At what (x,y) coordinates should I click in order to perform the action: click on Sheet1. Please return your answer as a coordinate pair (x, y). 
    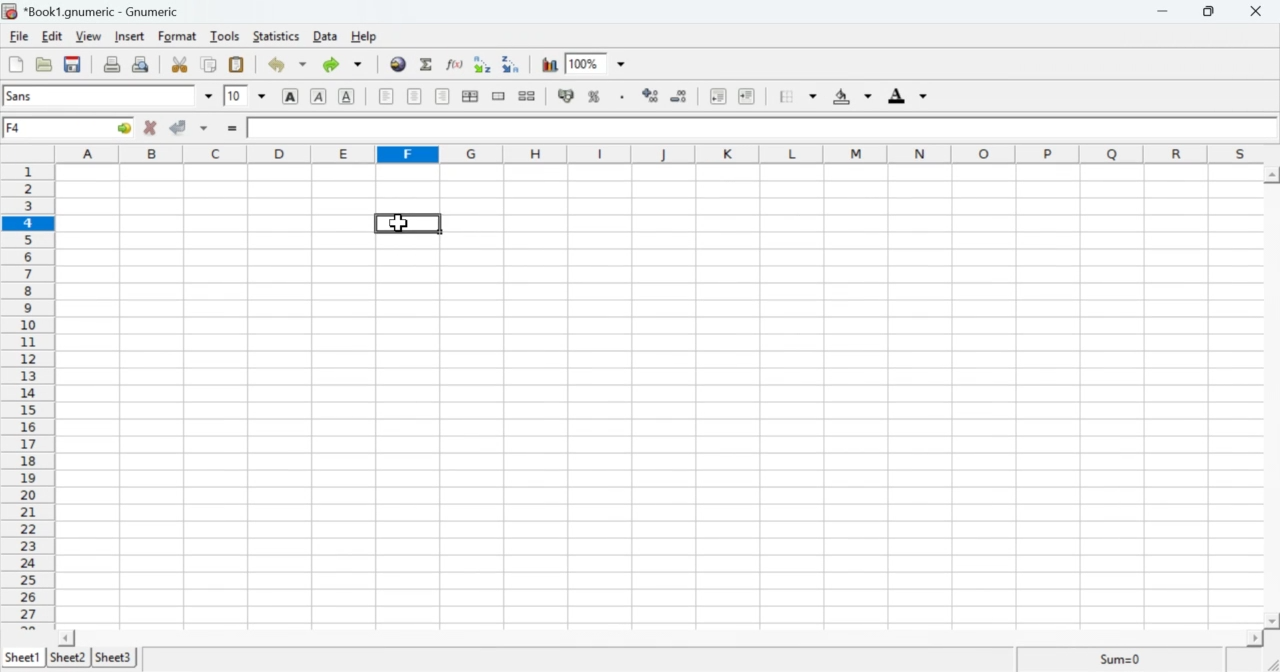
    Looking at the image, I should click on (23, 652).